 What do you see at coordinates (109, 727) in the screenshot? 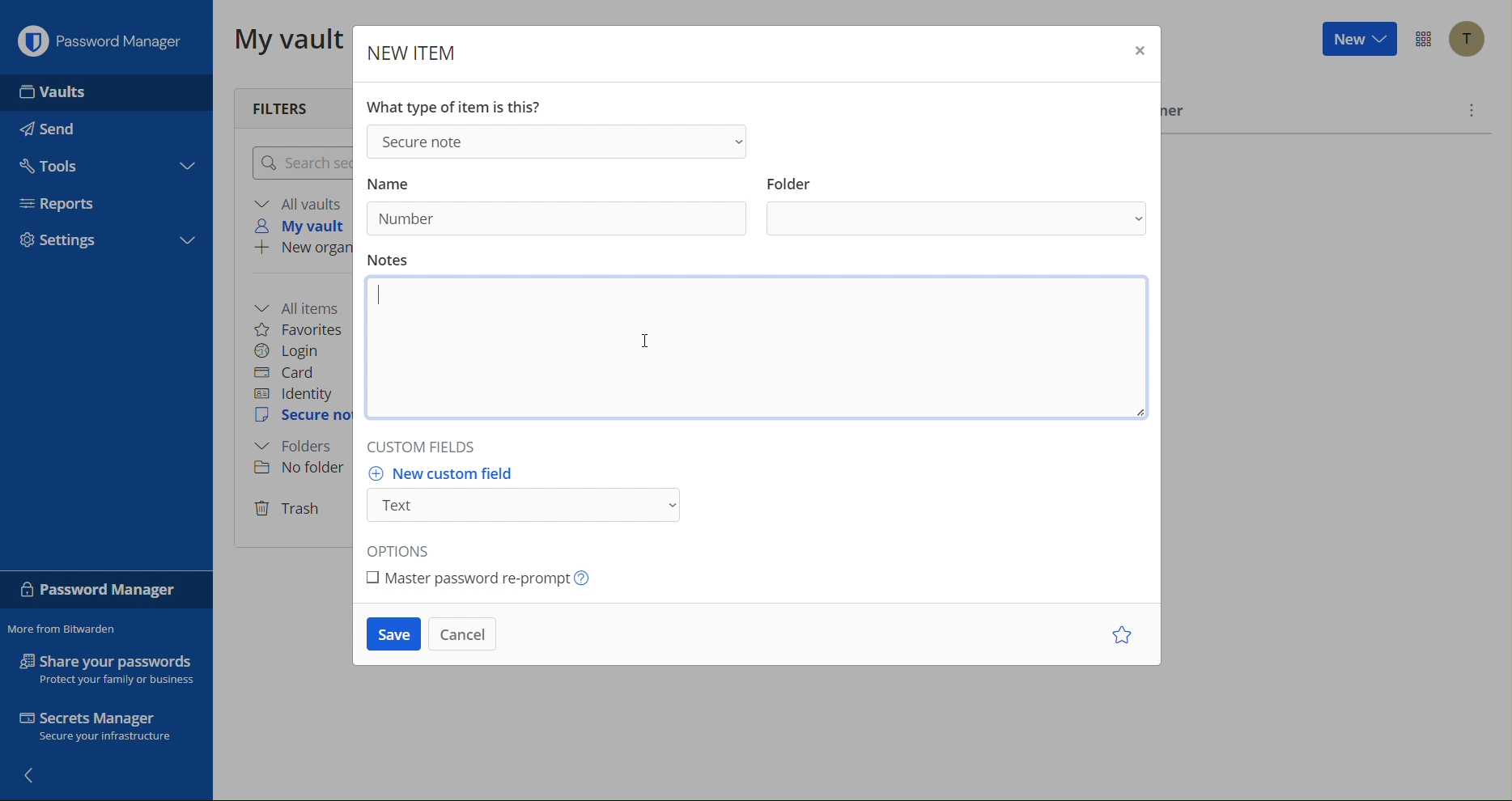
I see `Secrets Manager` at bounding box center [109, 727].